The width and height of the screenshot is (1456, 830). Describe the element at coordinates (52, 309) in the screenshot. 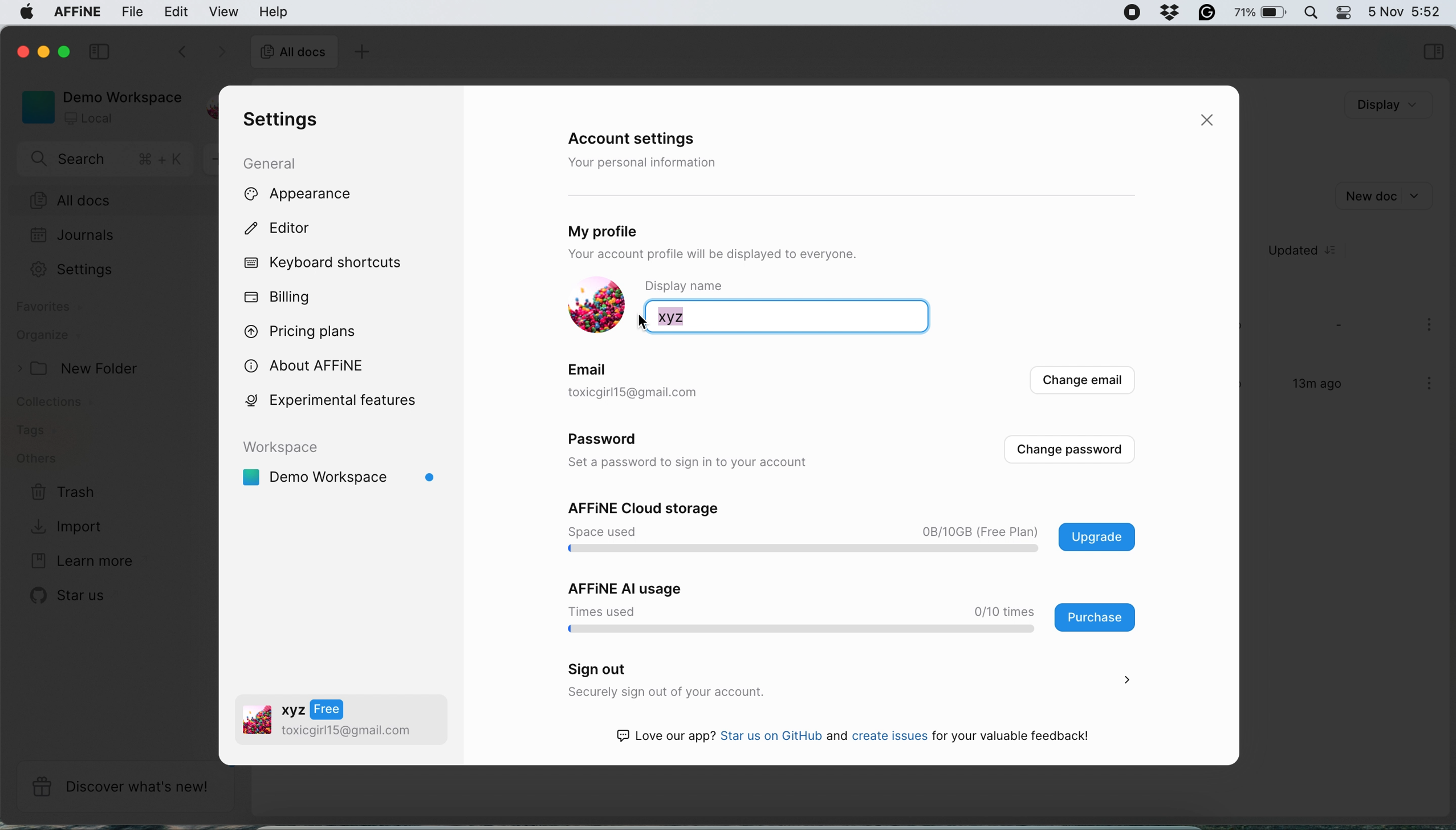

I see `favourites` at that location.